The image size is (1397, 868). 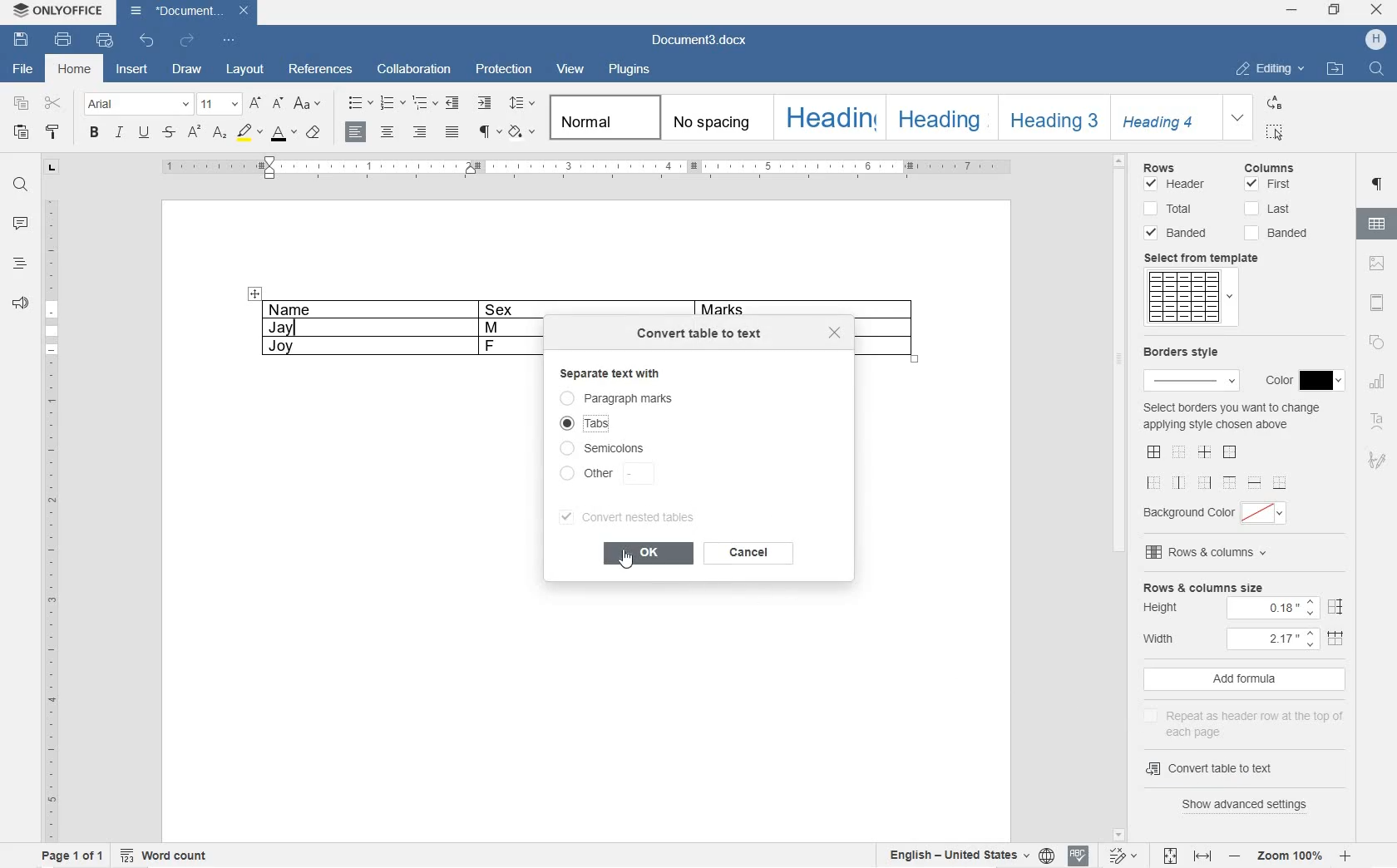 What do you see at coordinates (637, 374) in the screenshot?
I see `separate text with` at bounding box center [637, 374].